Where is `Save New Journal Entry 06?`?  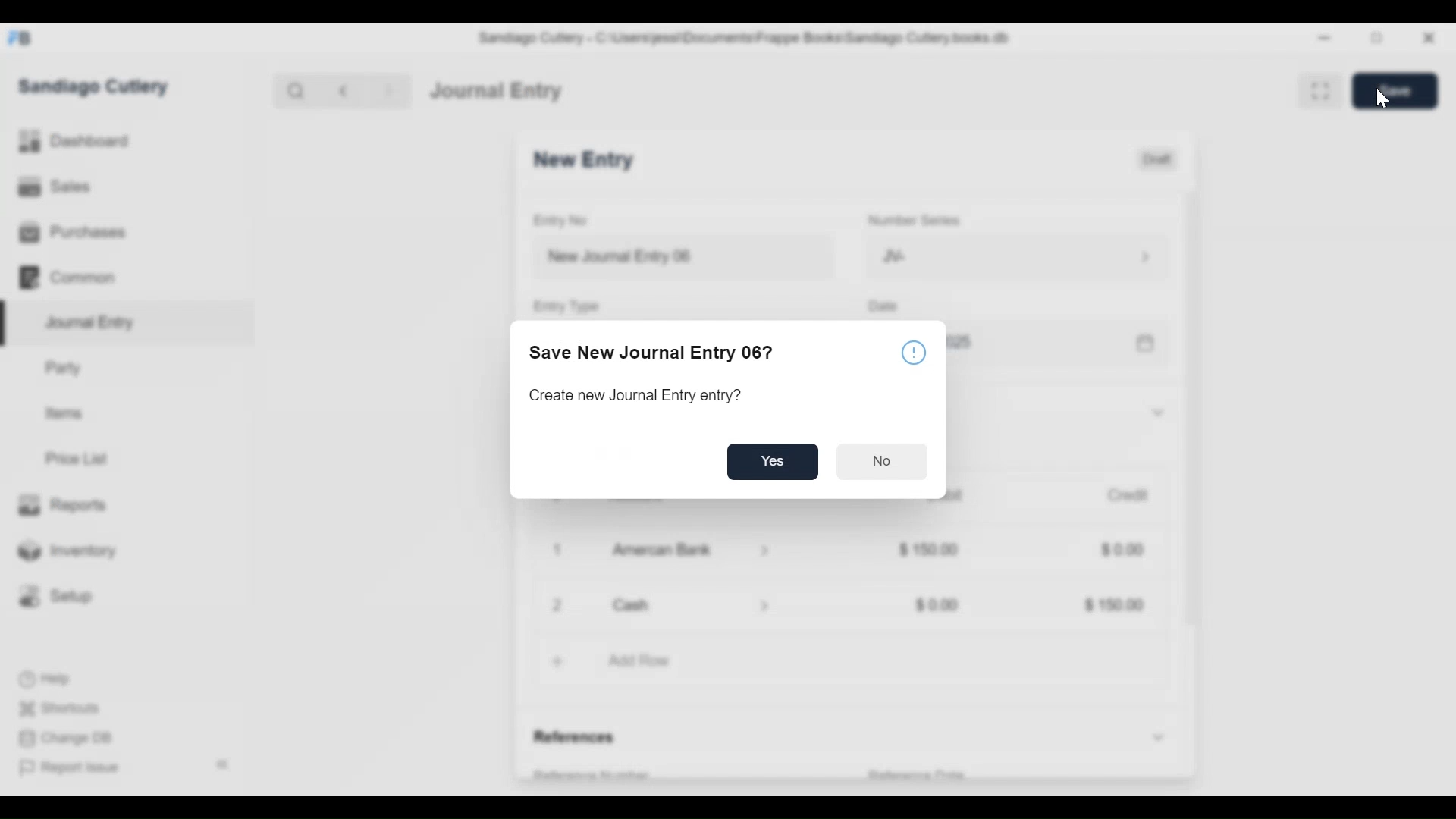 Save New Journal Entry 06? is located at coordinates (652, 352).